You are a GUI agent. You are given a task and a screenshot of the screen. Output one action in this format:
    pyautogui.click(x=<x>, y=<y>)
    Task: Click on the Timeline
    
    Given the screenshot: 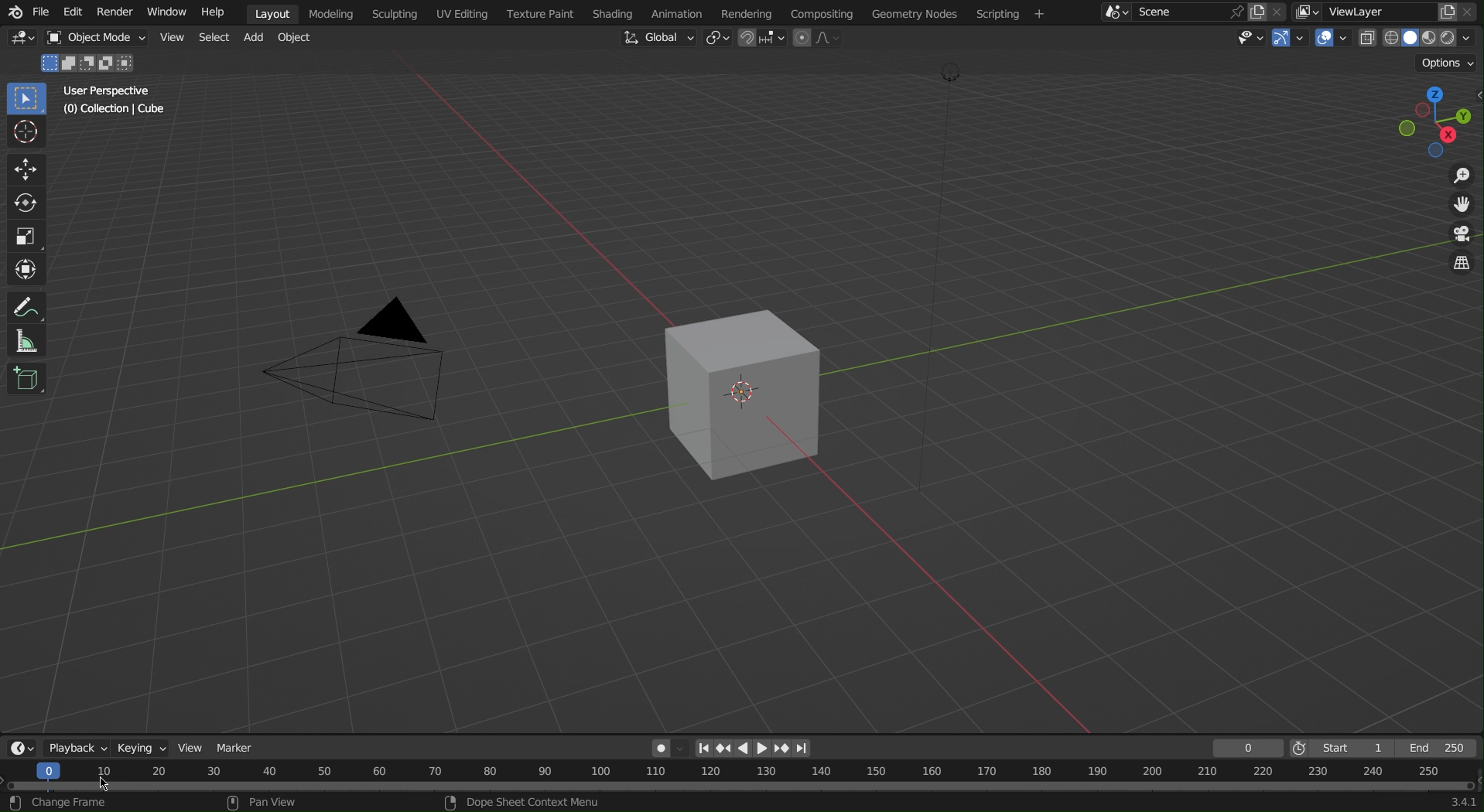 What is the action you would take?
    pyautogui.click(x=742, y=787)
    